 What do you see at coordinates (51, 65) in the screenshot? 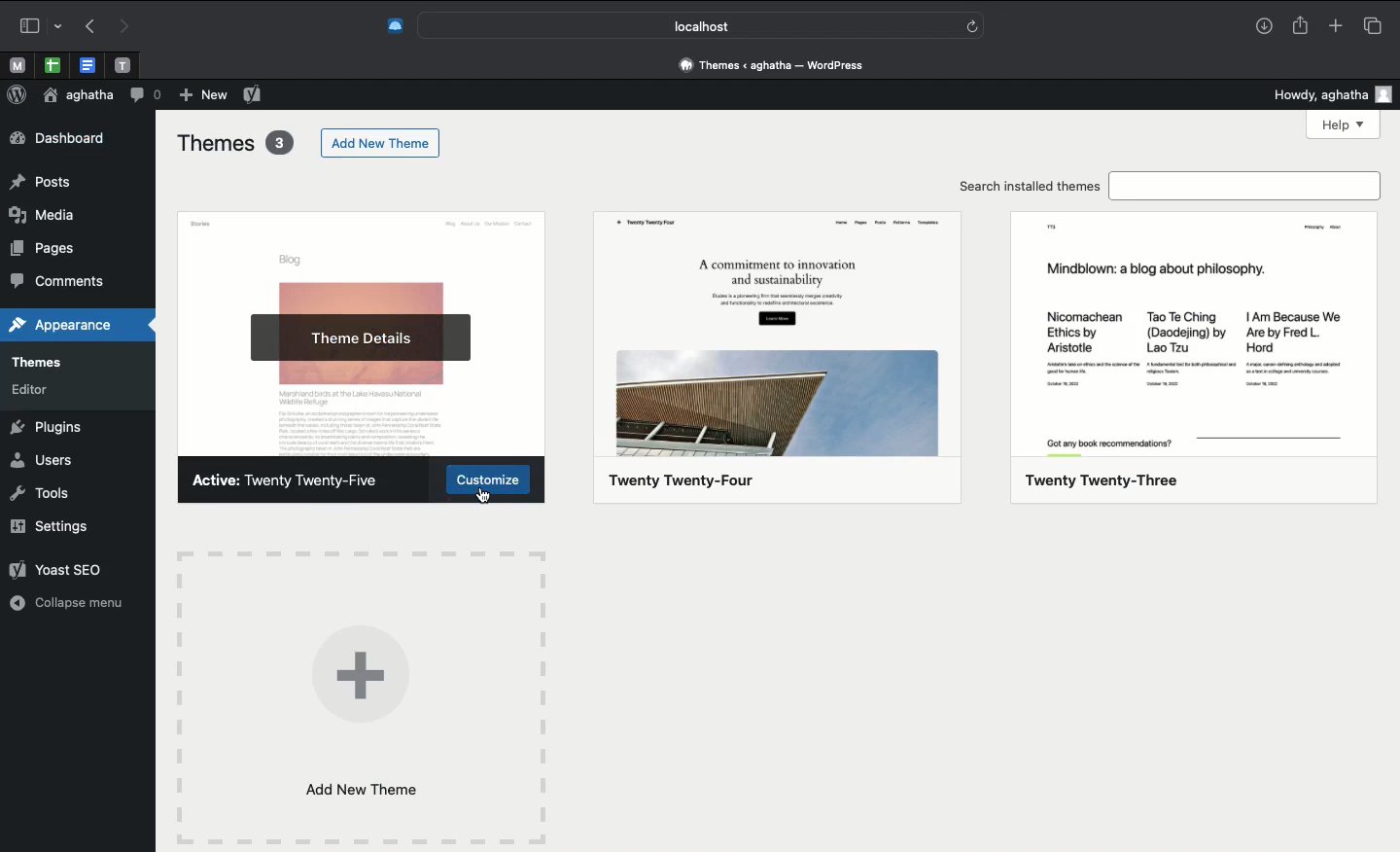
I see `open tab, google sheet` at bounding box center [51, 65].